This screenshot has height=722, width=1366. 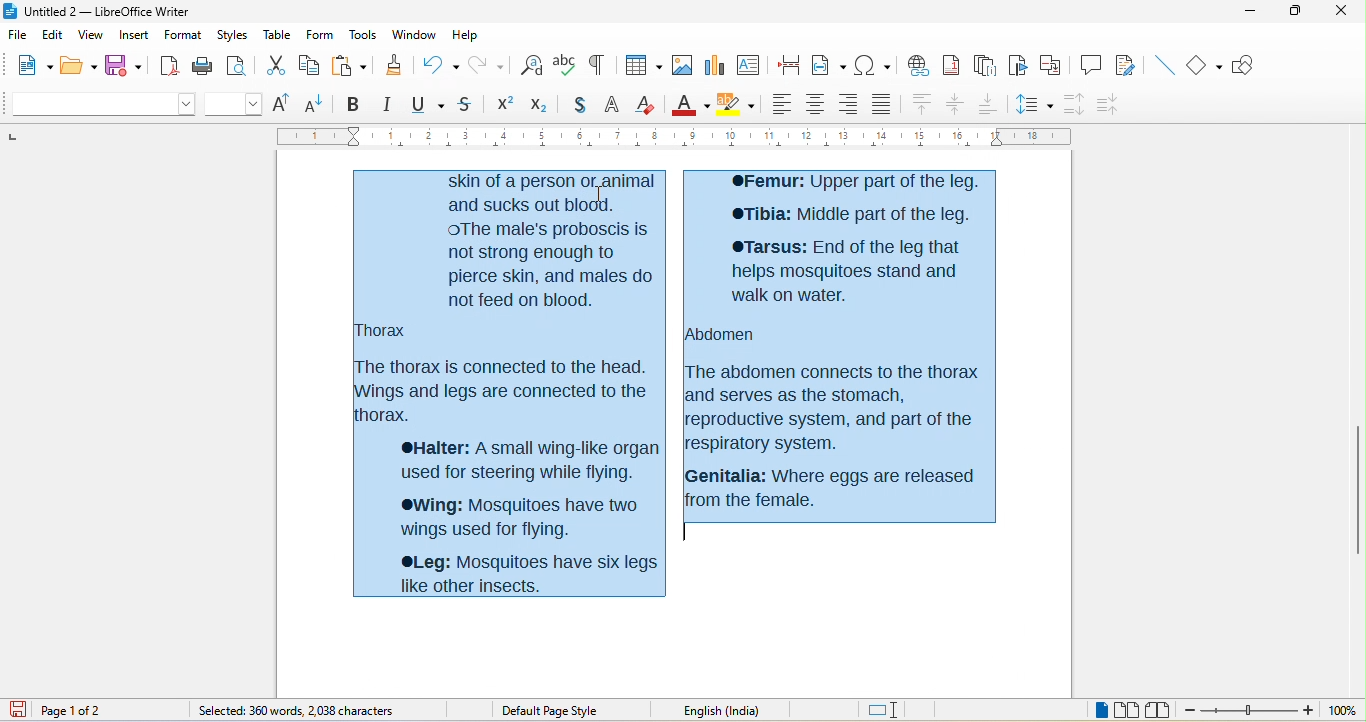 What do you see at coordinates (612, 103) in the screenshot?
I see `outline font effect` at bounding box center [612, 103].